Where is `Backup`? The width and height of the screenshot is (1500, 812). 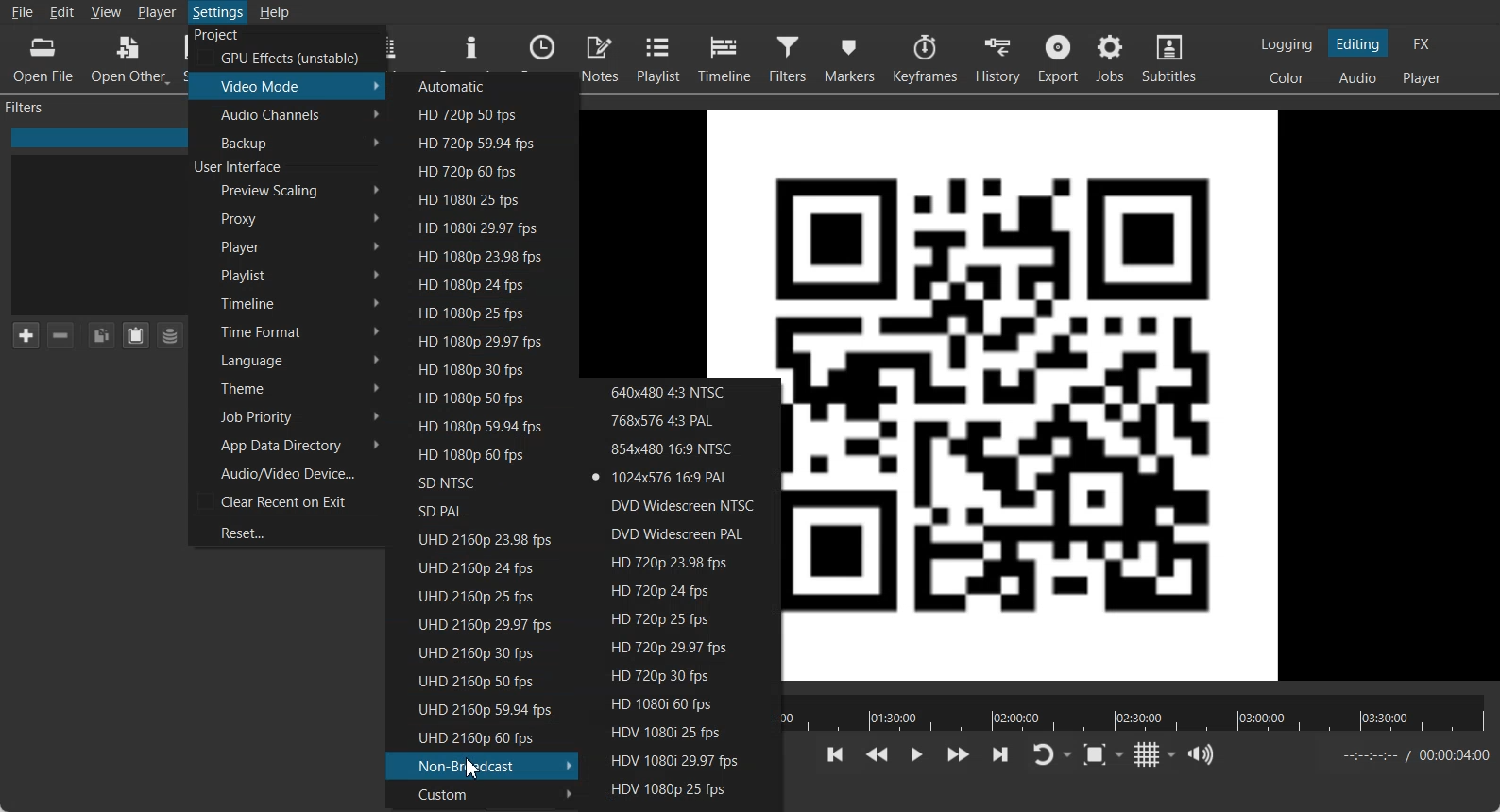 Backup is located at coordinates (287, 142).